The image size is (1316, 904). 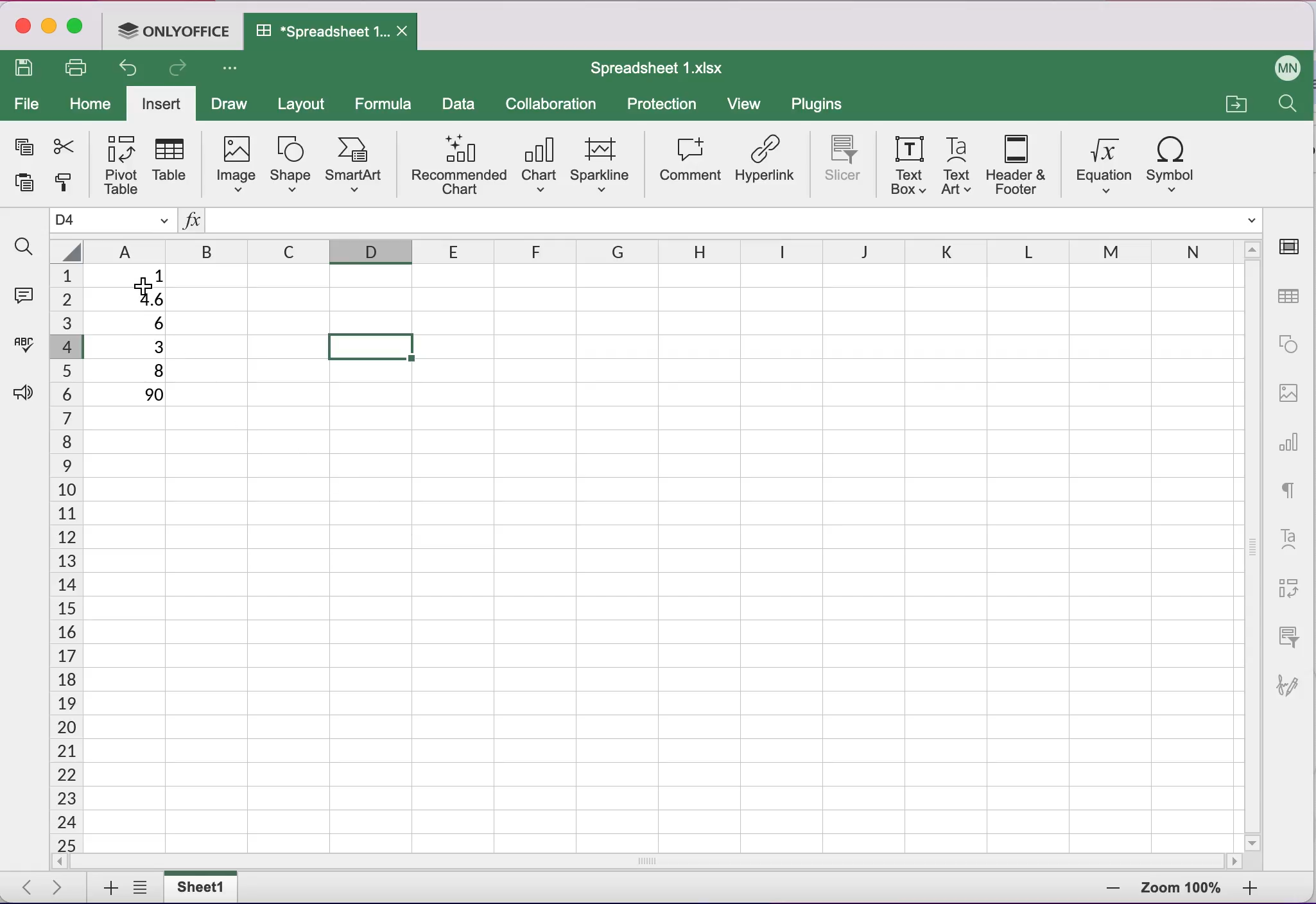 I want to click on next sheet, so click(x=56, y=889).